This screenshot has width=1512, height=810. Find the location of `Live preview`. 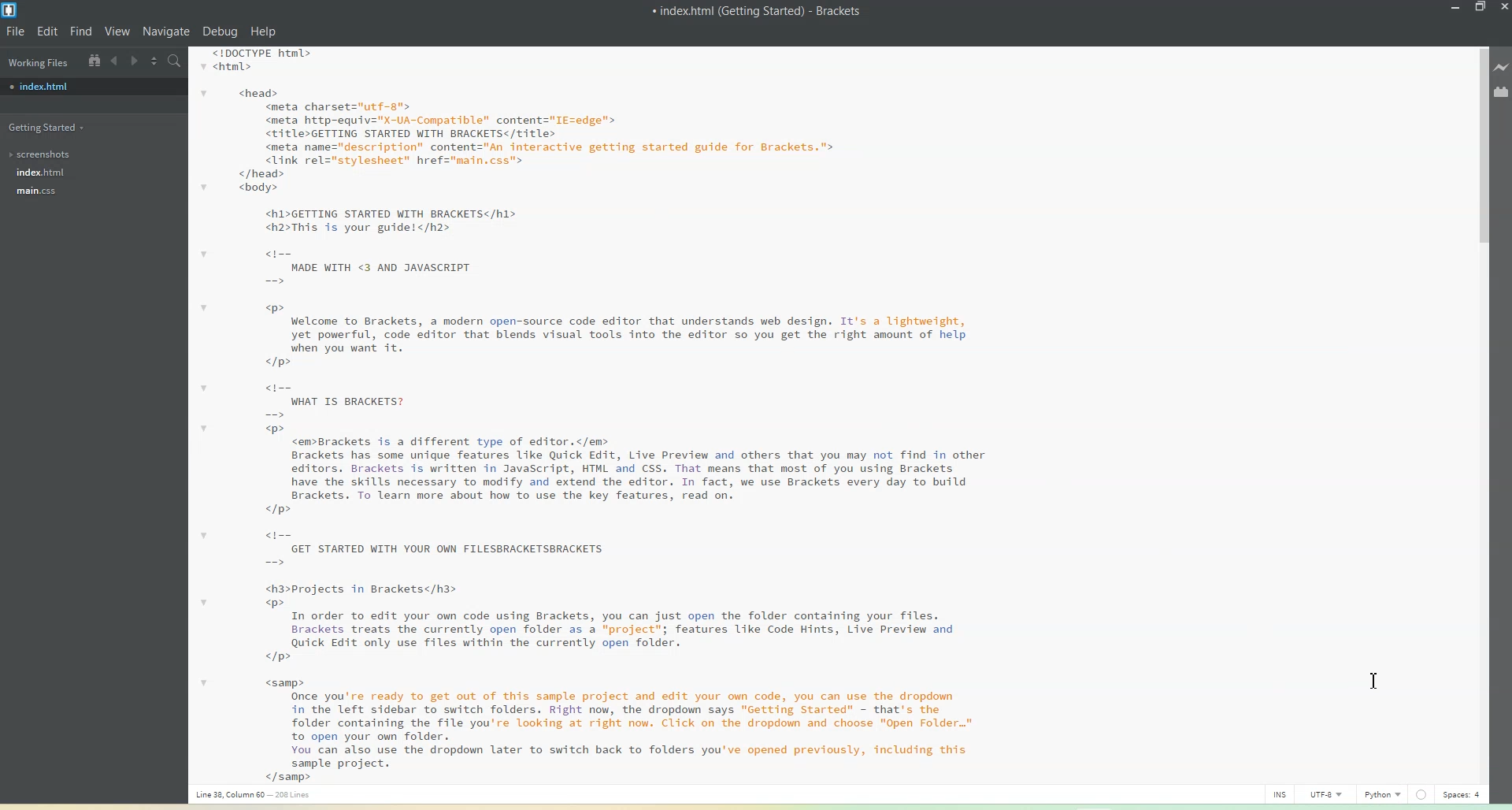

Live preview is located at coordinates (1503, 65).